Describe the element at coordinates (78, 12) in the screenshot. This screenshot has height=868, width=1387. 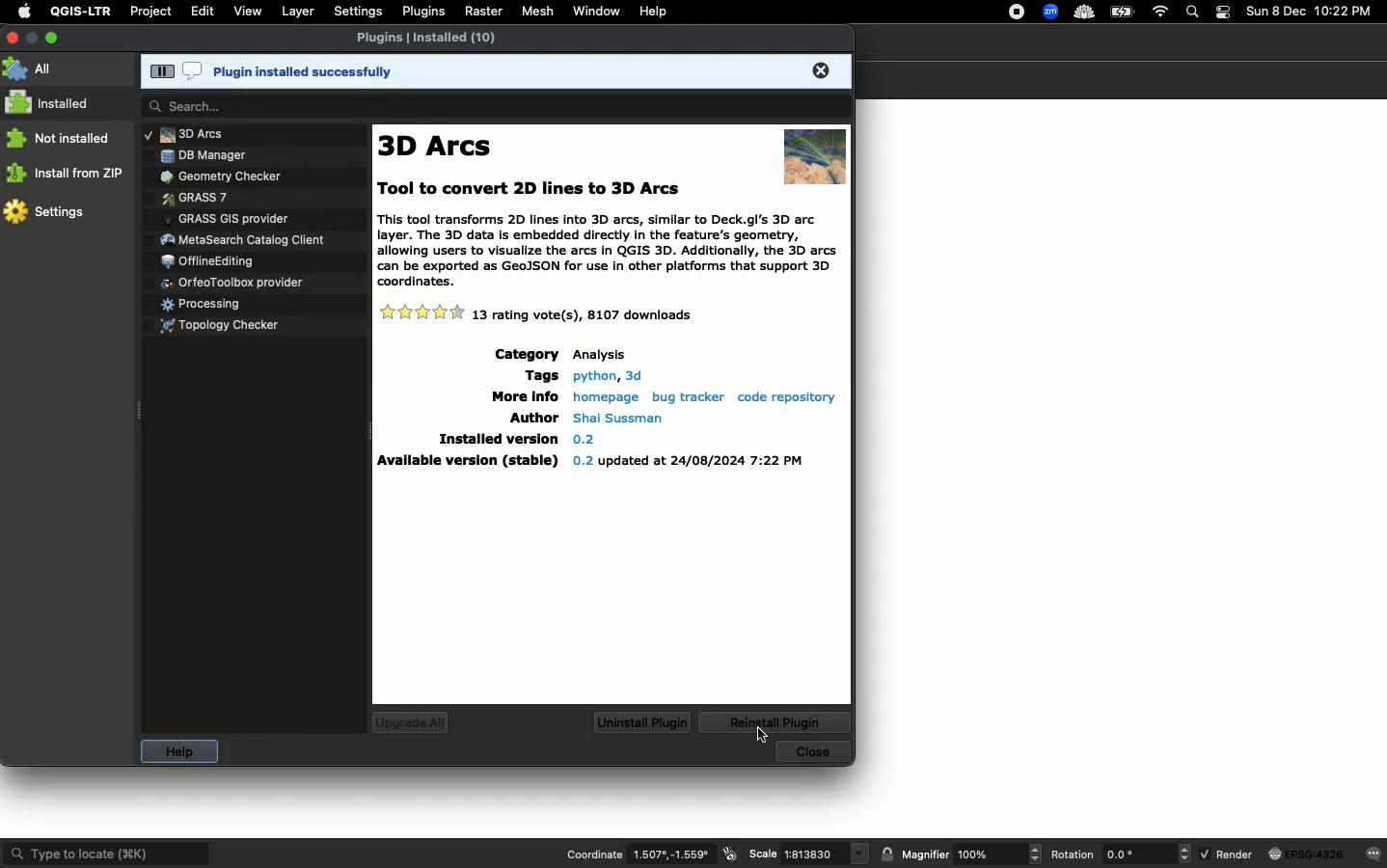
I see `QGIS` at that location.